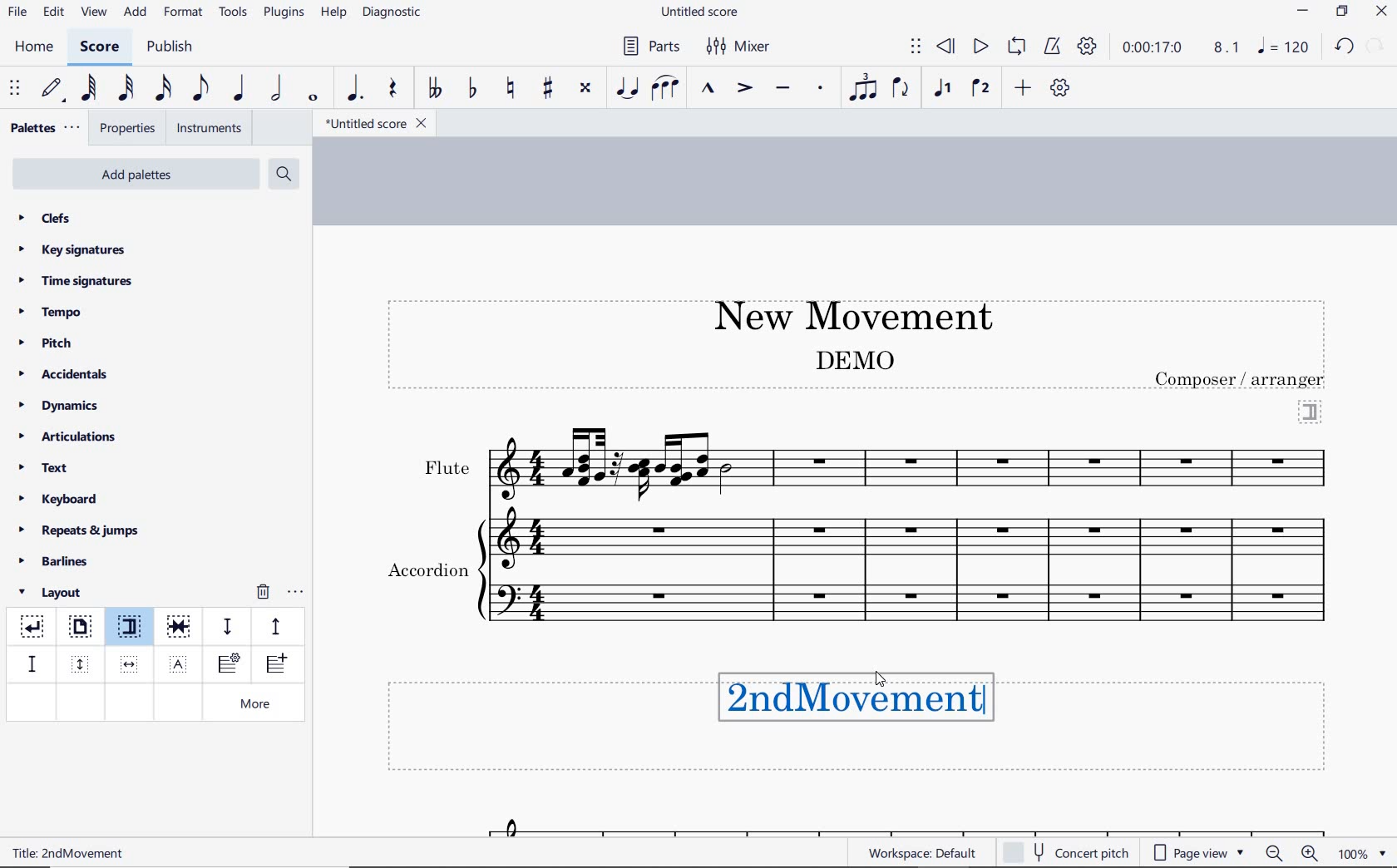  Describe the element at coordinates (1344, 46) in the screenshot. I see `redo` at that location.